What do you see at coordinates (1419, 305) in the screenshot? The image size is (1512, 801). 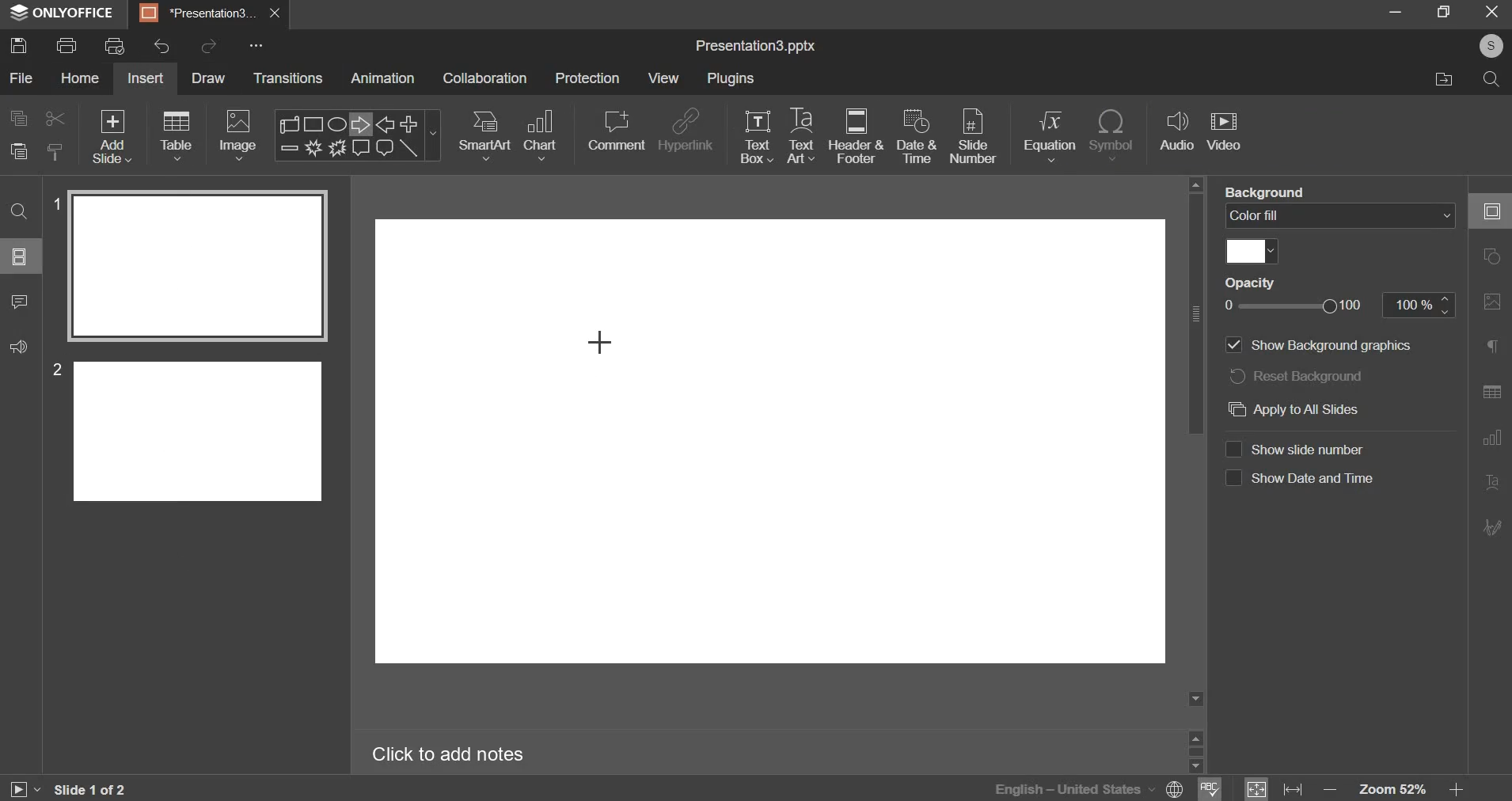 I see `100%` at bounding box center [1419, 305].